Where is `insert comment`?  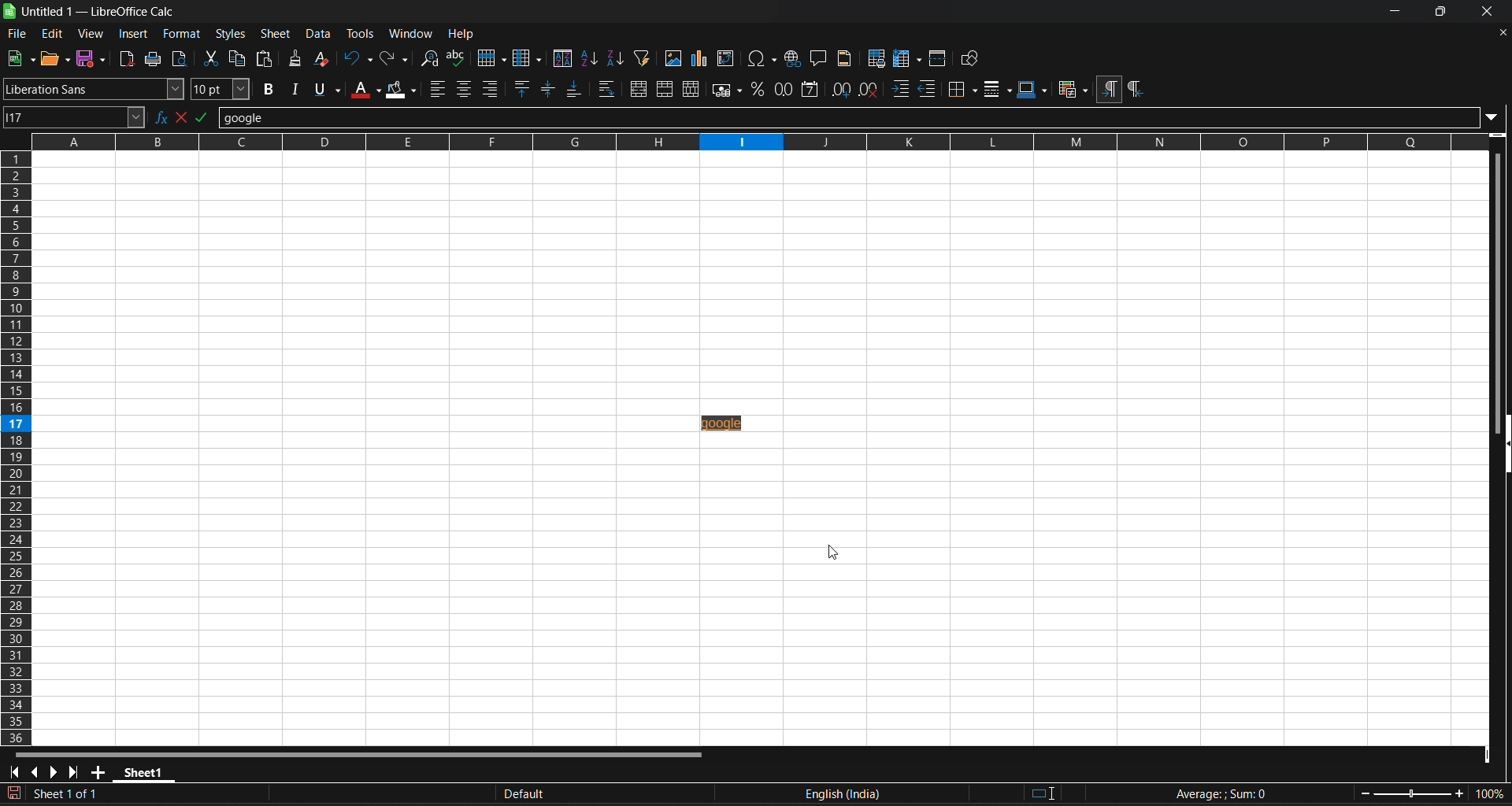
insert comment is located at coordinates (820, 57).